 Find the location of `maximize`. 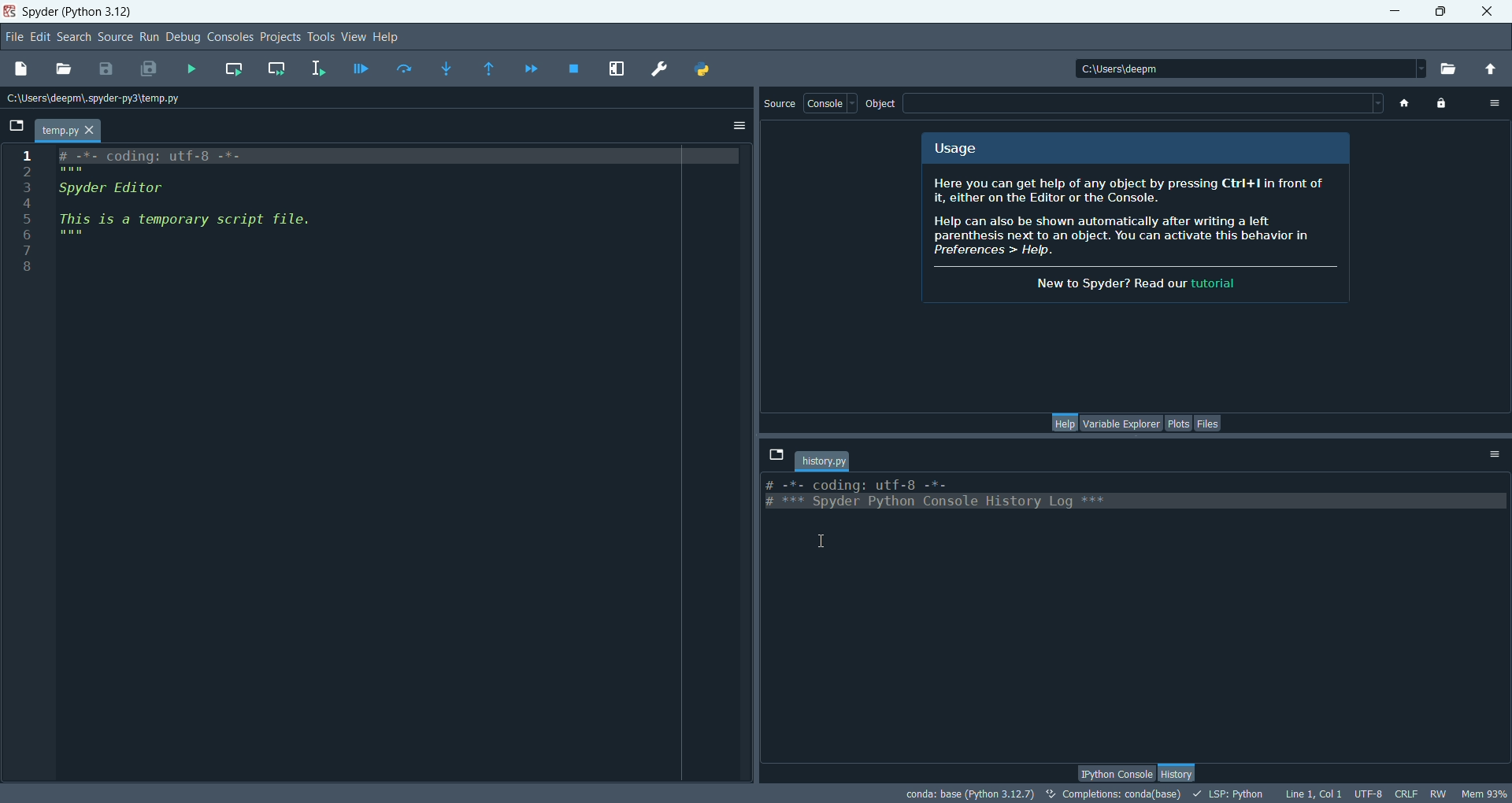

maximize is located at coordinates (1445, 13).